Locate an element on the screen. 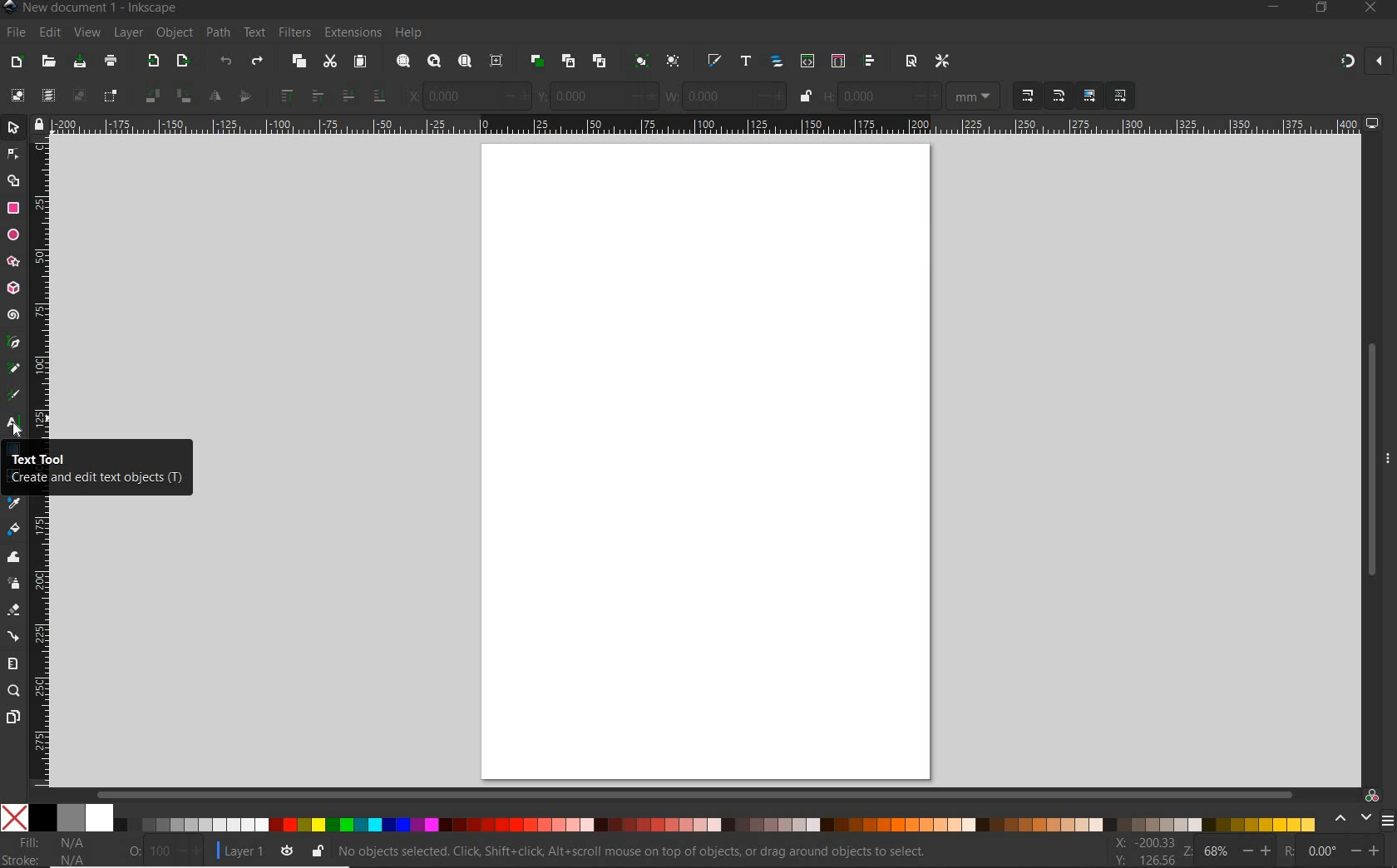 This screenshot has height=868, width=1397. eraser tool is located at coordinates (14, 613).